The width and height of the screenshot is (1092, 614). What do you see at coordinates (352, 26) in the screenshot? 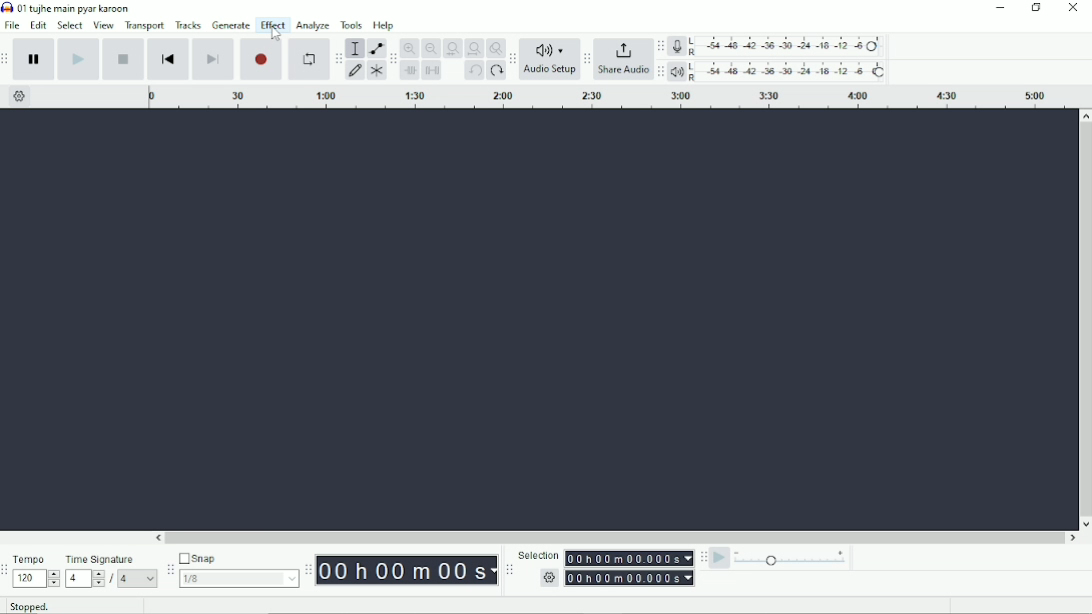
I see `Tools` at bounding box center [352, 26].